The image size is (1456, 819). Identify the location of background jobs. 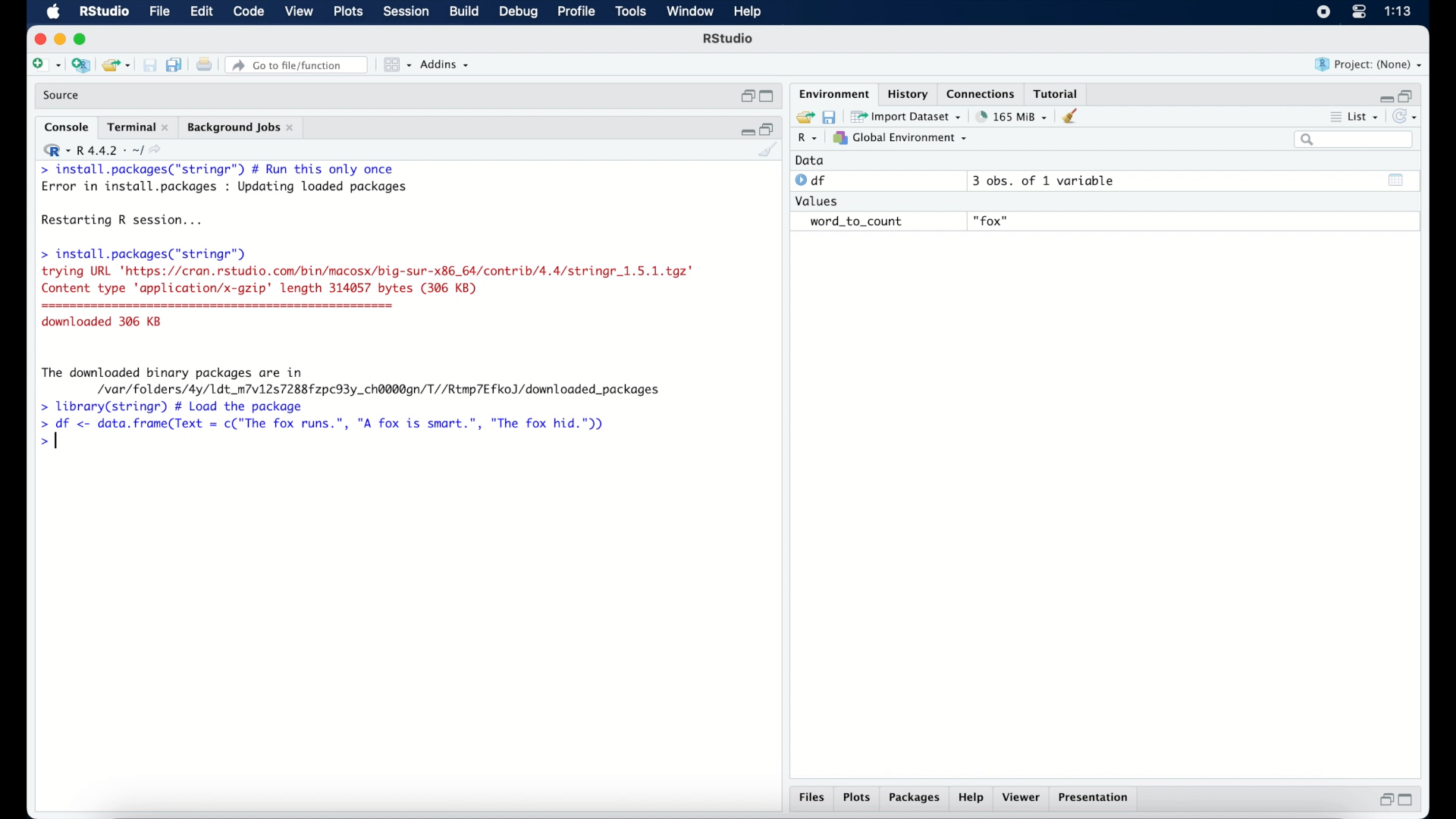
(242, 129).